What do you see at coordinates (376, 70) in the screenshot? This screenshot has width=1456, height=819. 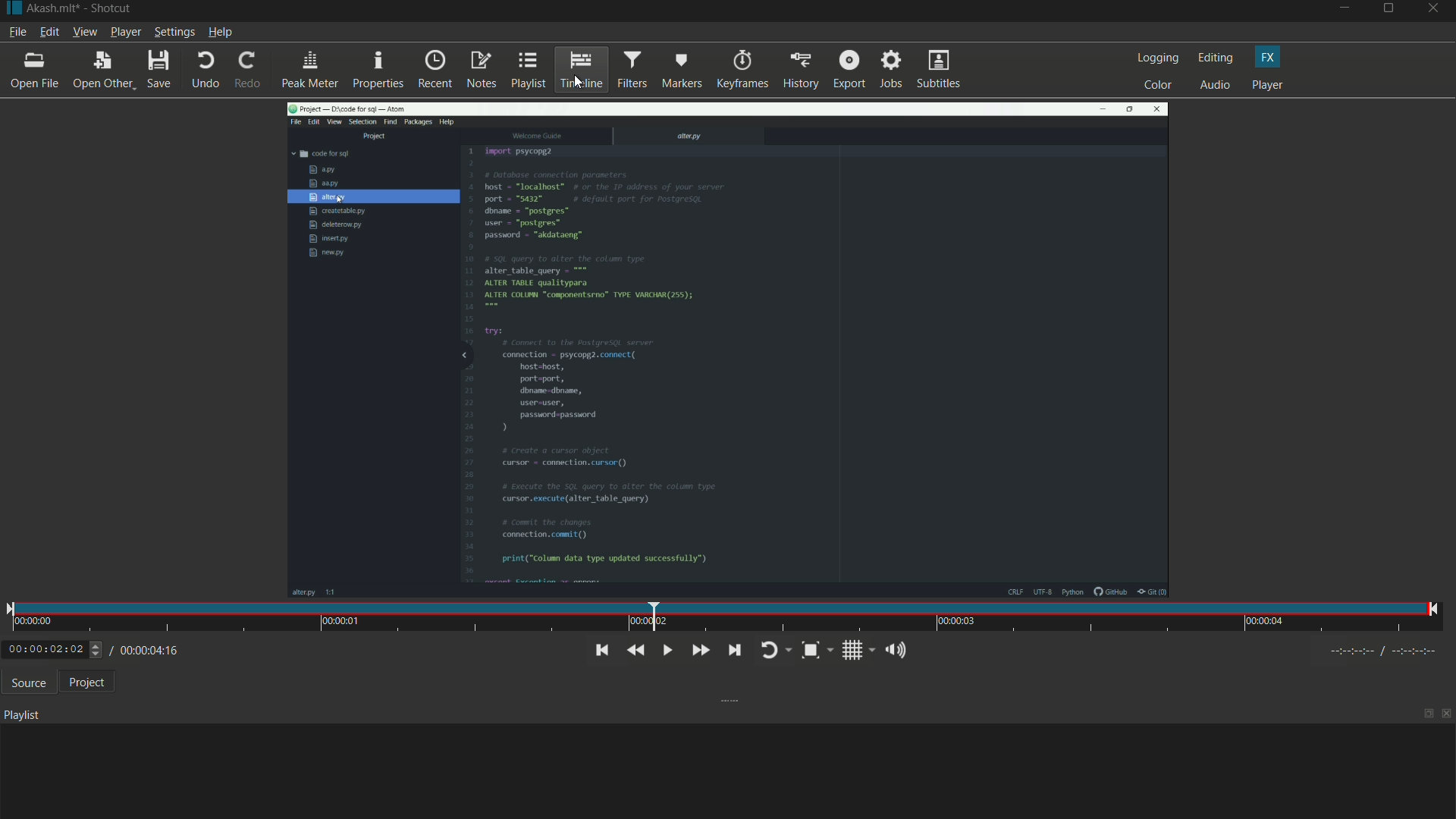 I see `properties` at bounding box center [376, 70].